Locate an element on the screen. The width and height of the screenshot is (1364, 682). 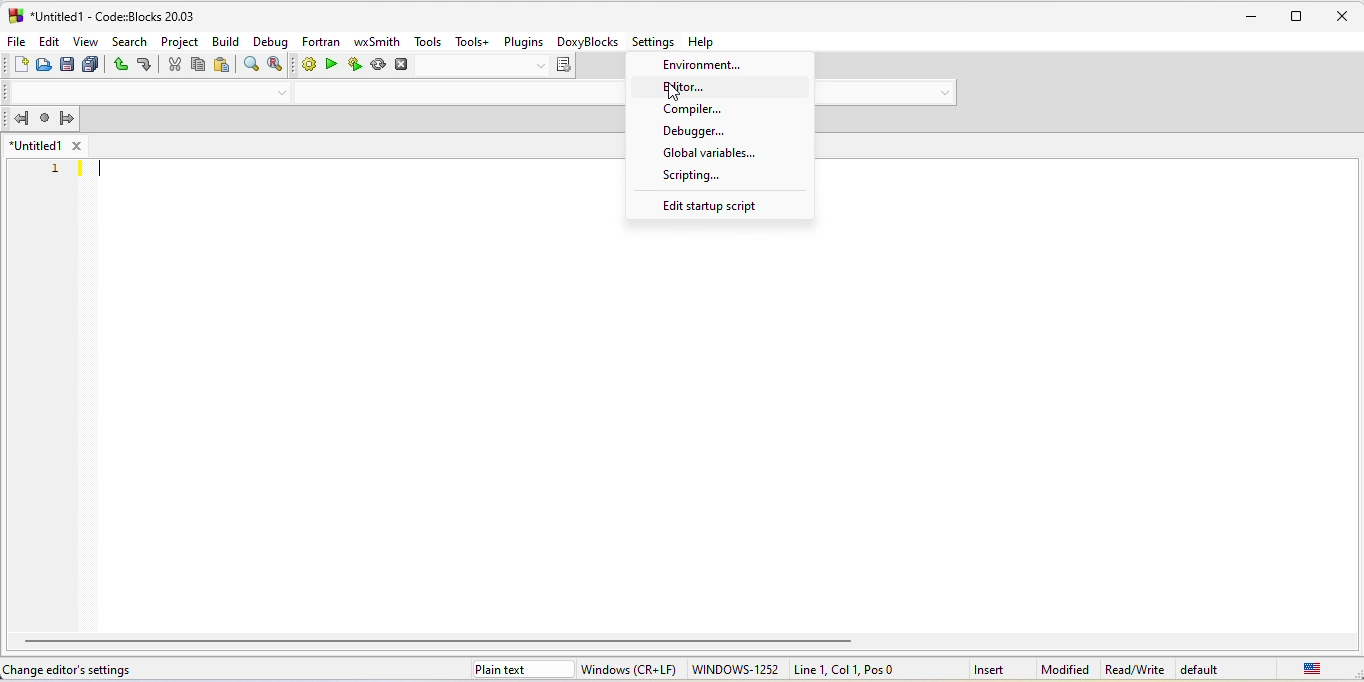
new is located at coordinates (21, 65).